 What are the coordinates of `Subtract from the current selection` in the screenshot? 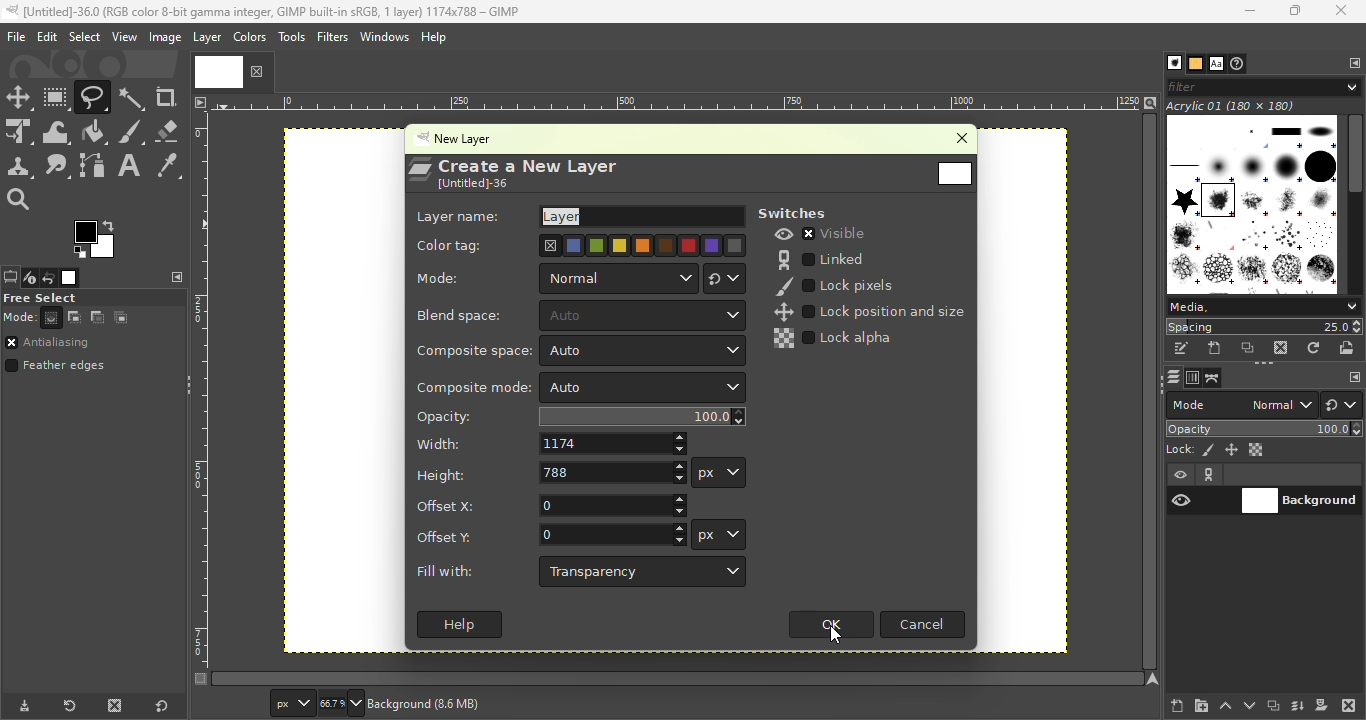 It's located at (98, 318).